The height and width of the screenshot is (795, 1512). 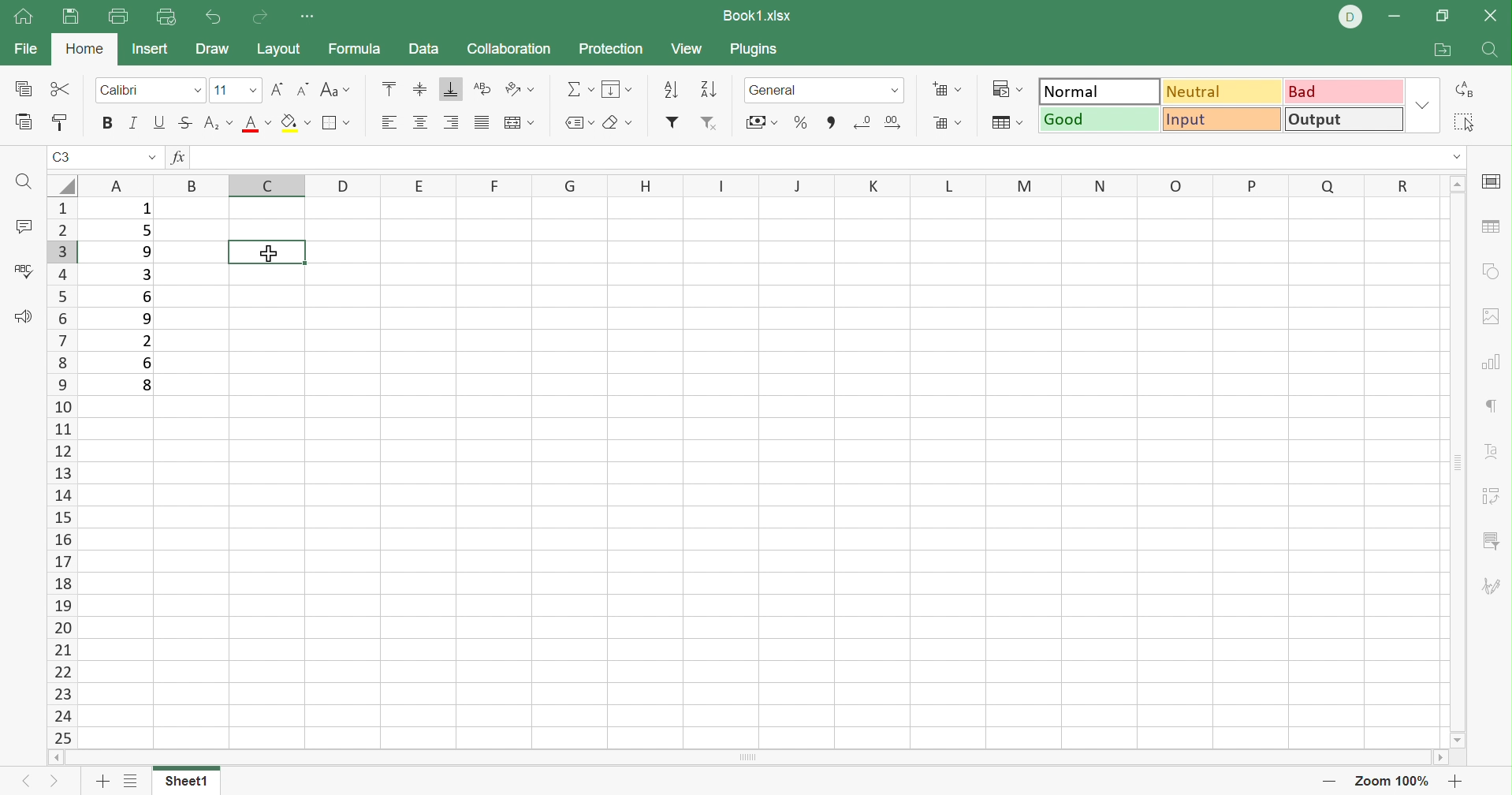 What do you see at coordinates (338, 88) in the screenshot?
I see `Change case` at bounding box center [338, 88].